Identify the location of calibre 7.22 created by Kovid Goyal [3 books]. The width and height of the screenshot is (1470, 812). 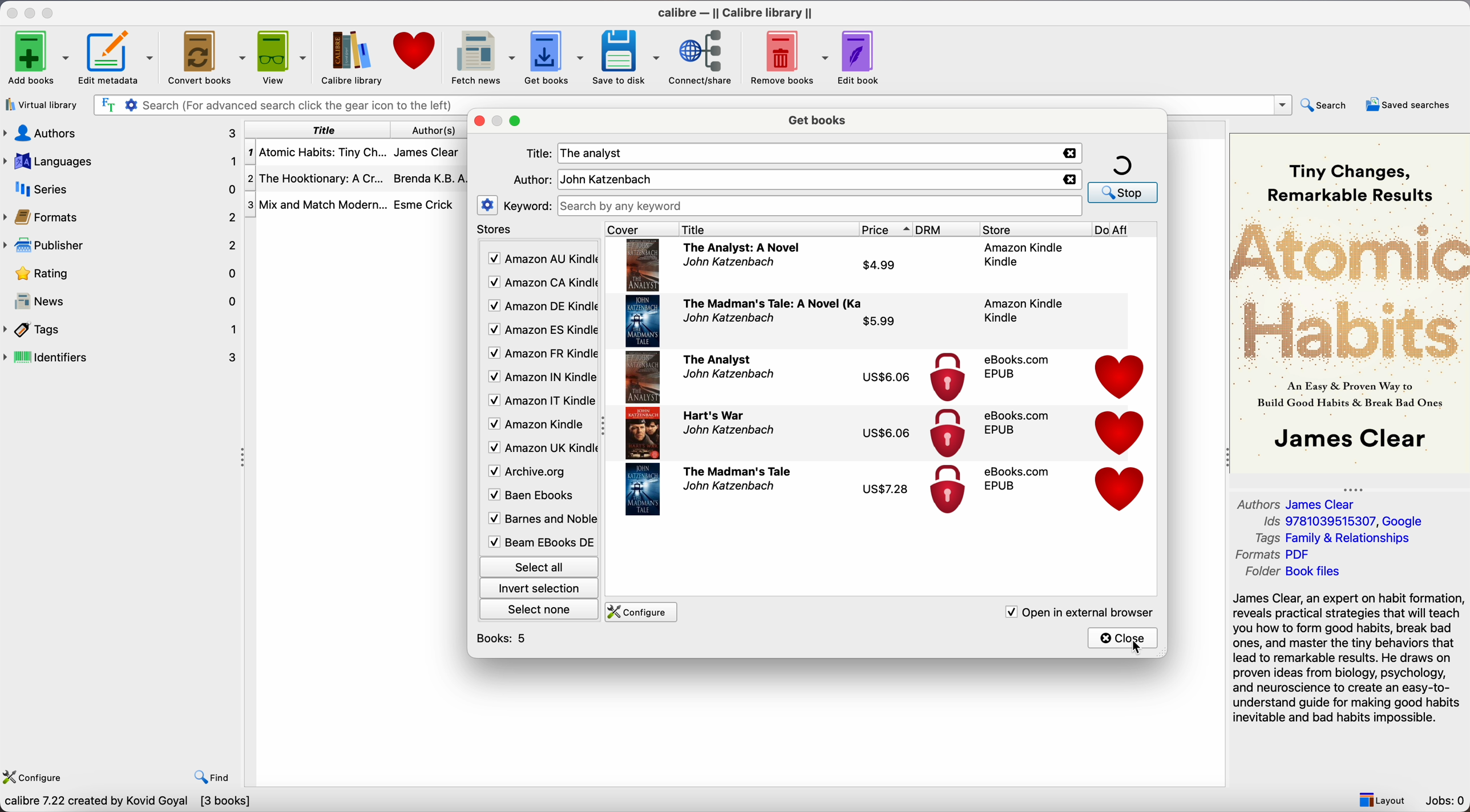
(127, 803).